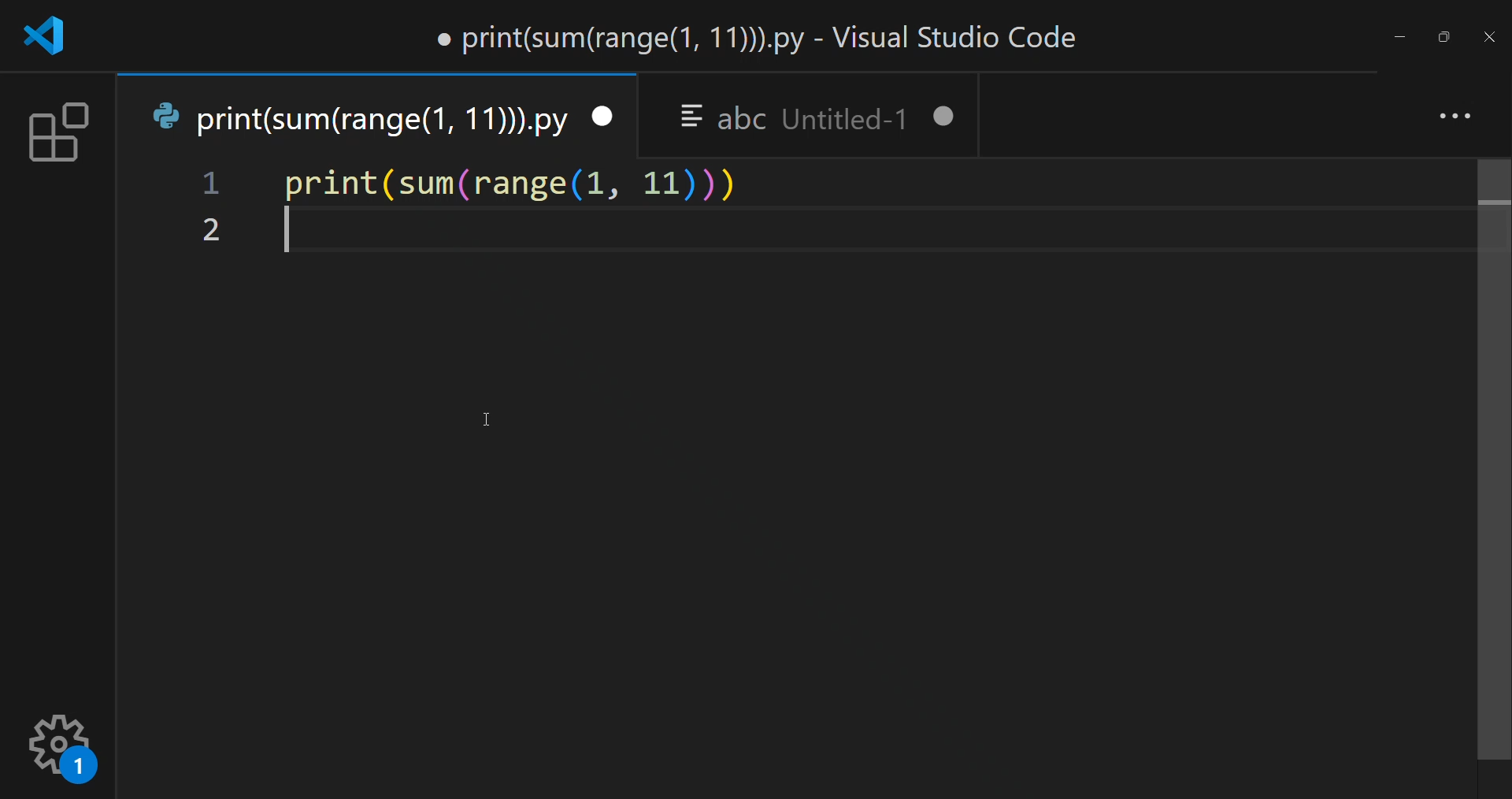 The height and width of the screenshot is (799, 1512). Describe the element at coordinates (209, 230) in the screenshot. I see `2` at that location.